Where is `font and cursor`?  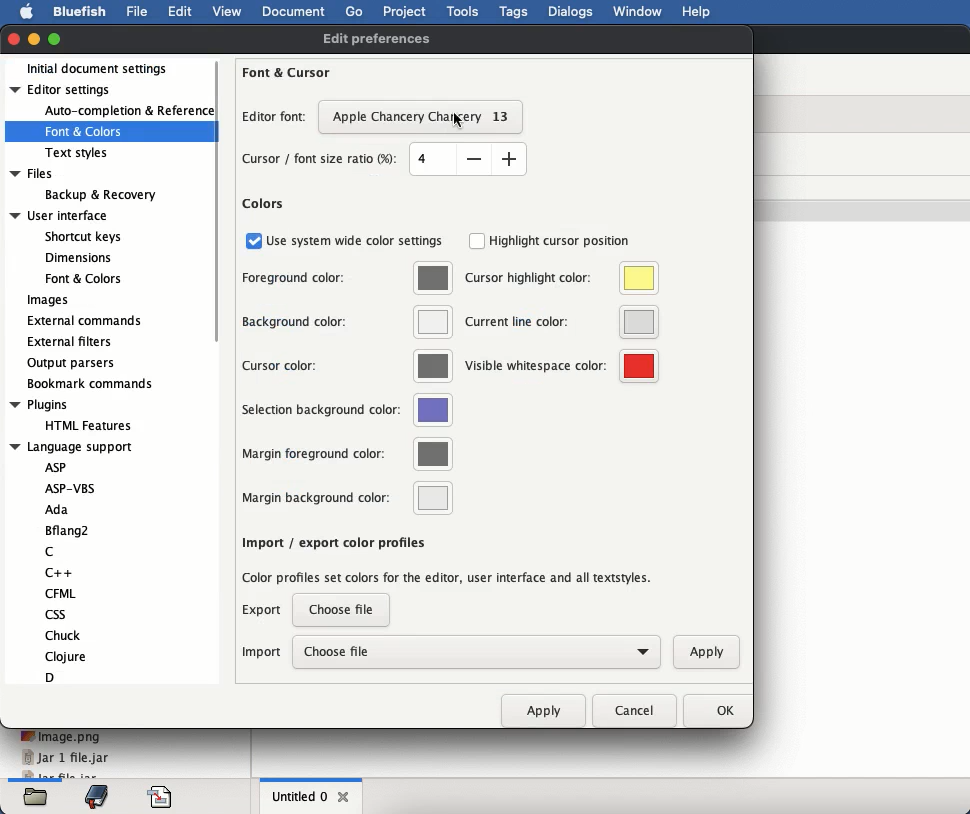 font and cursor is located at coordinates (287, 71).